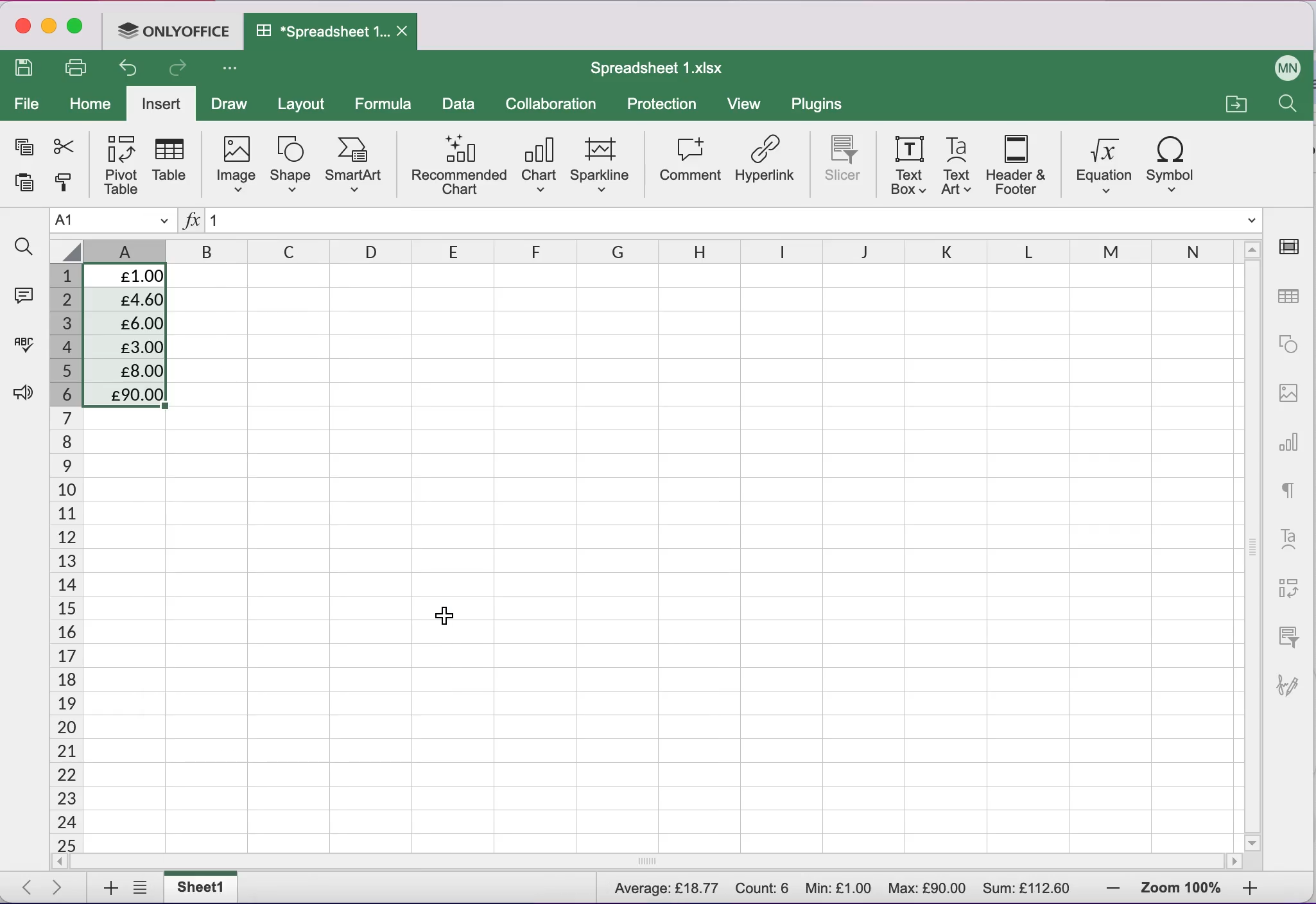  Describe the element at coordinates (181, 69) in the screenshot. I see `redo` at that location.